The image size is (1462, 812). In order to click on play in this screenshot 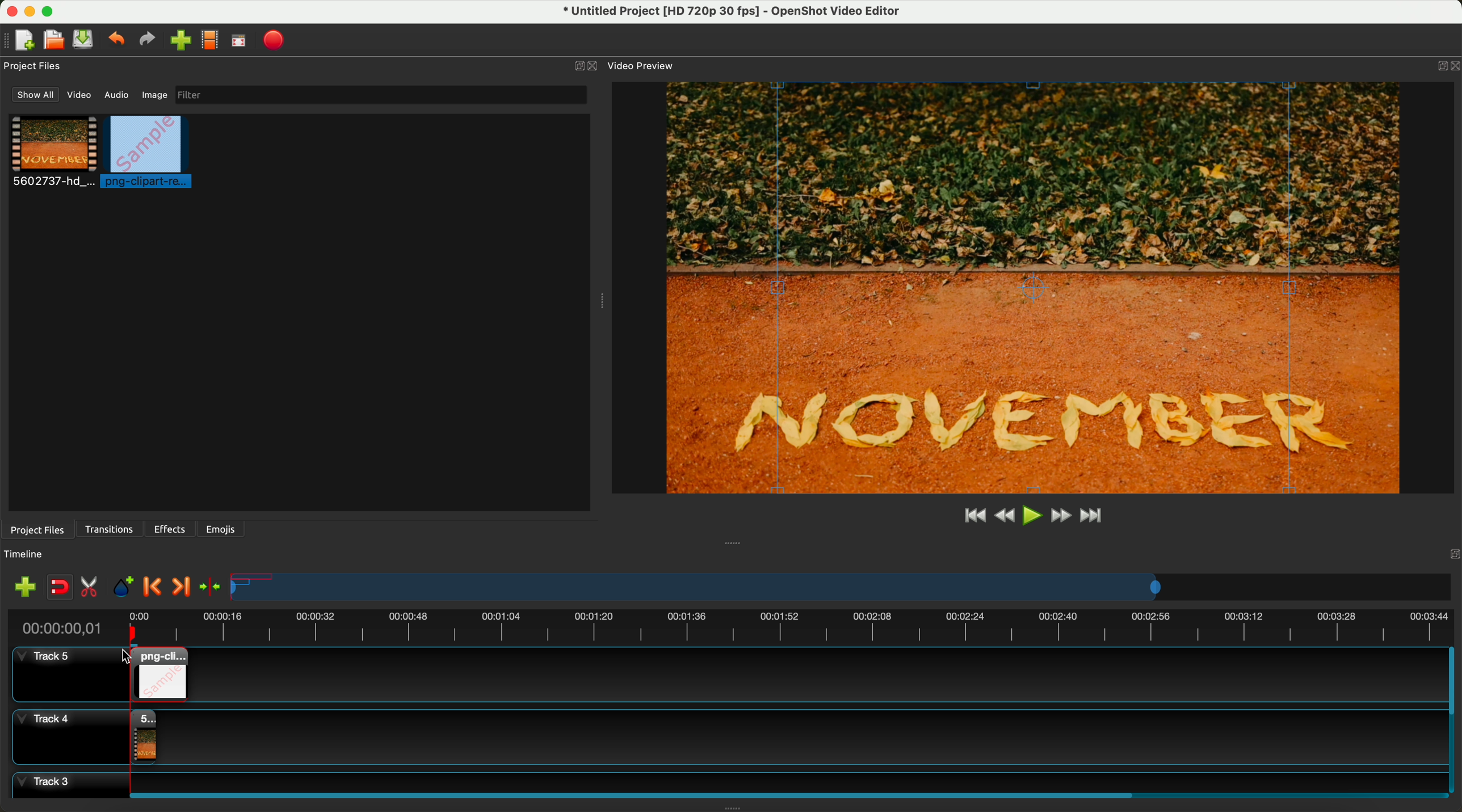, I will do `click(1032, 515)`.